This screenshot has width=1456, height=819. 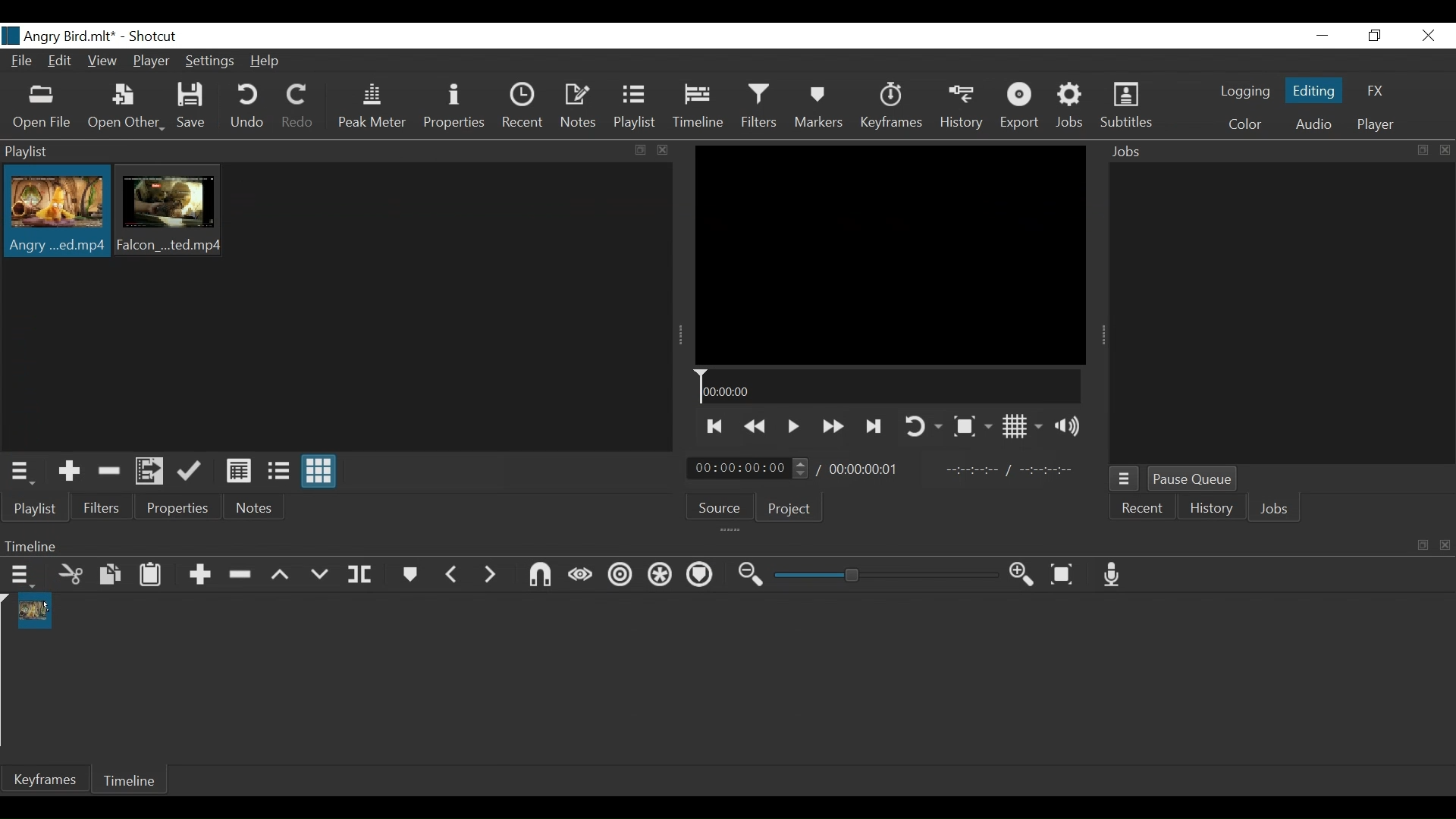 I want to click on Jobs, so click(x=1272, y=508).